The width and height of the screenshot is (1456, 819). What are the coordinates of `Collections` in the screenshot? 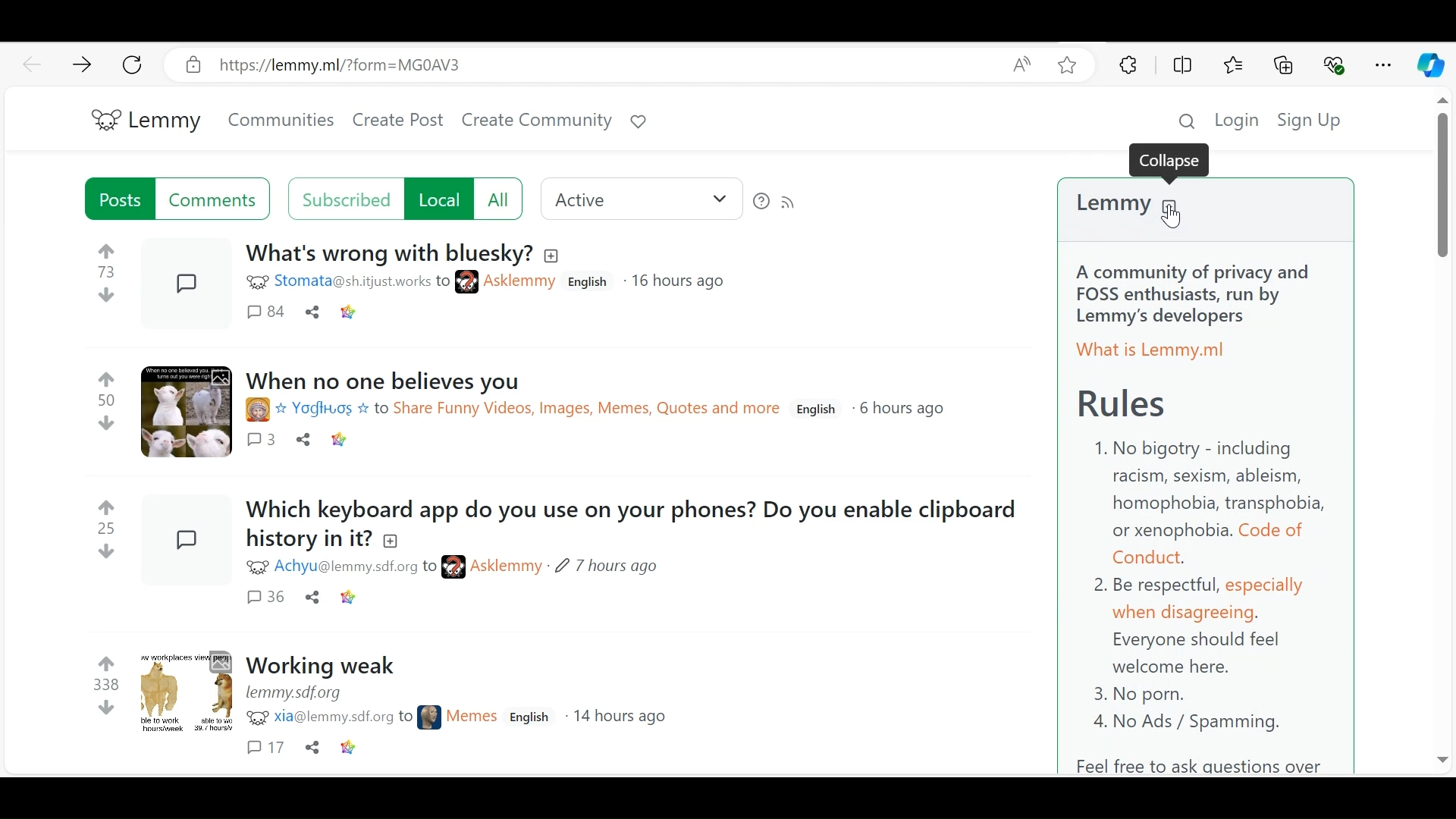 It's located at (1285, 65).